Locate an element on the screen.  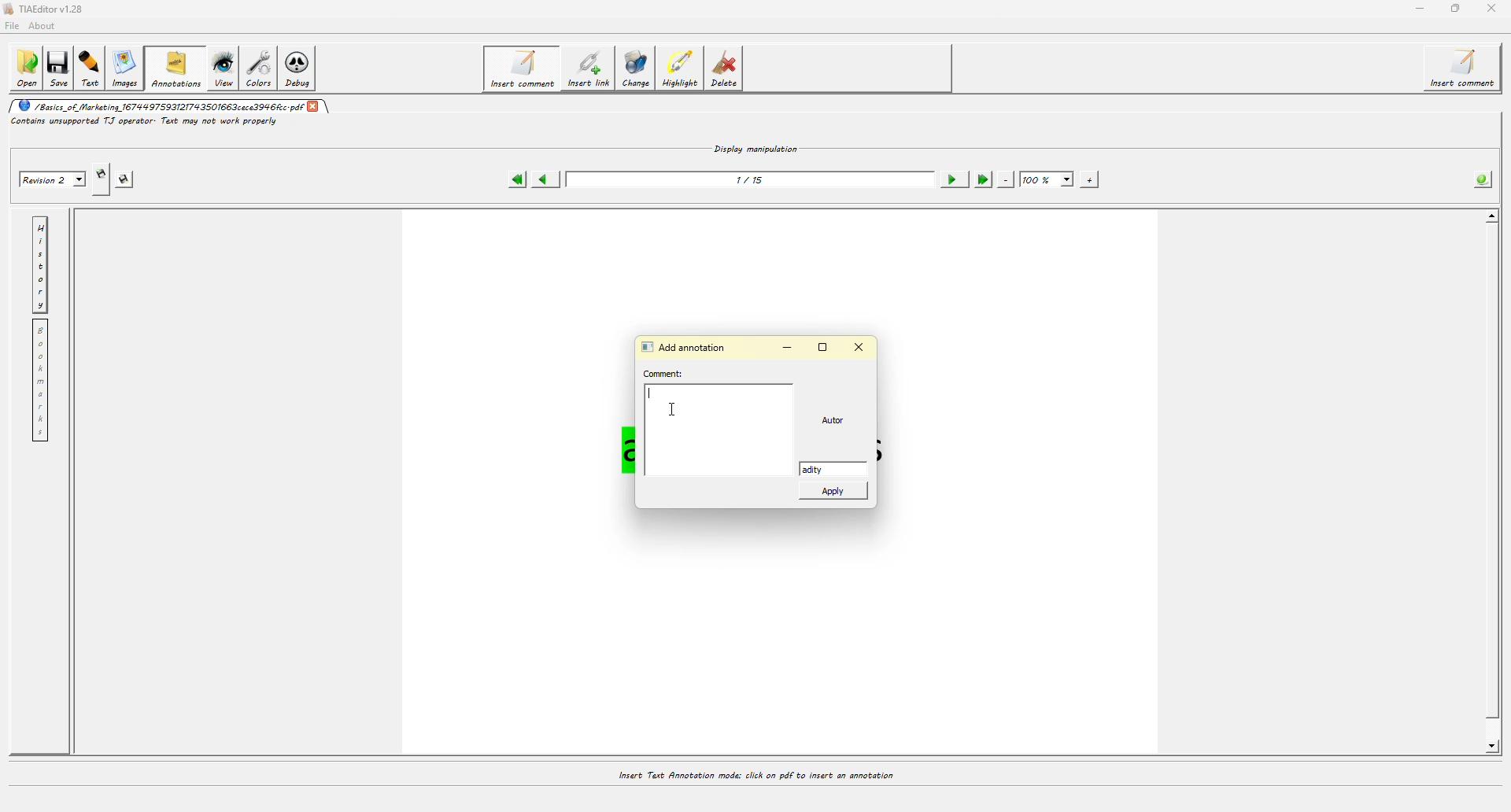
bookmarks is located at coordinates (39, 381).